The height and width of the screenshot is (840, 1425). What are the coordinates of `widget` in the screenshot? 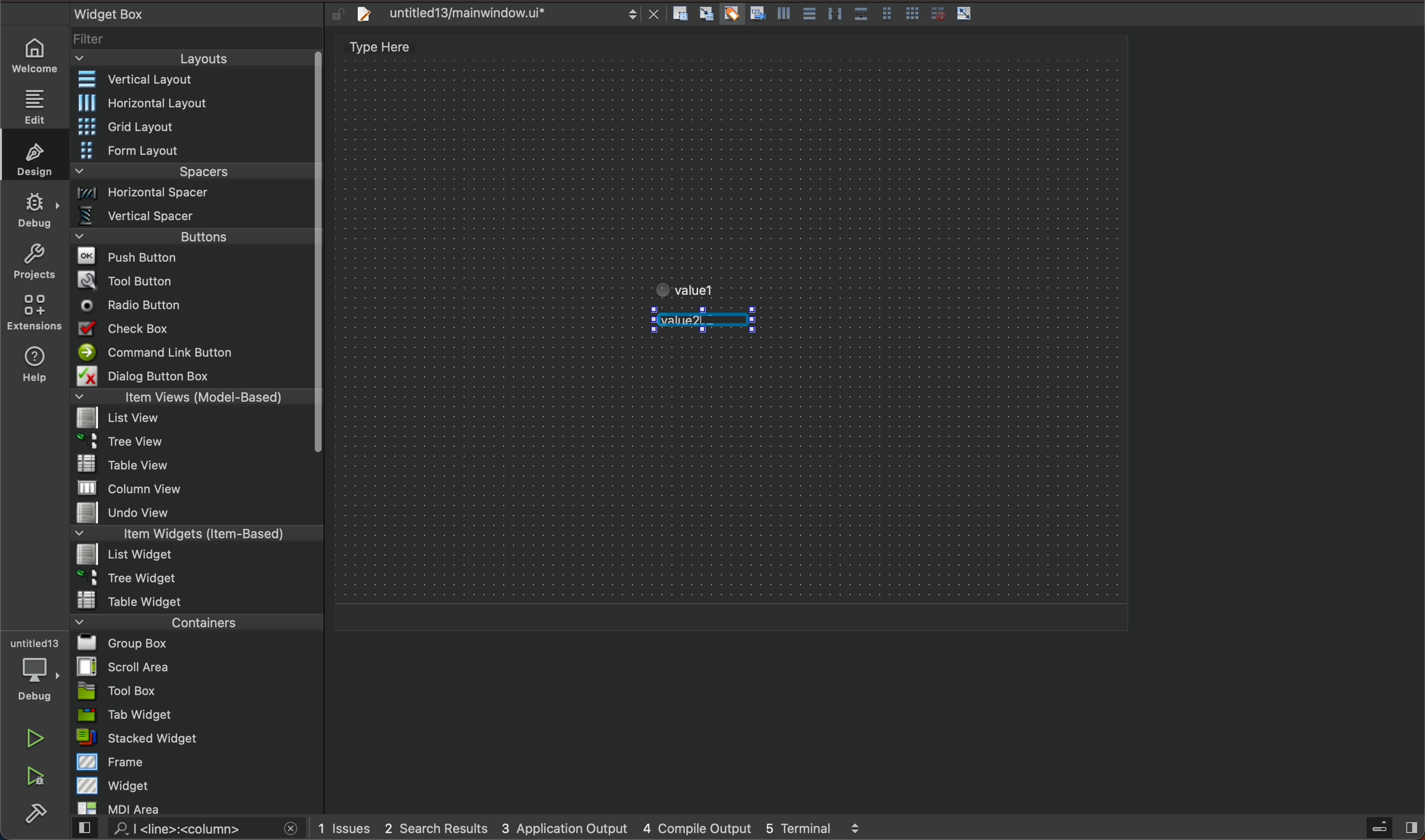 It's located at (199, 785).